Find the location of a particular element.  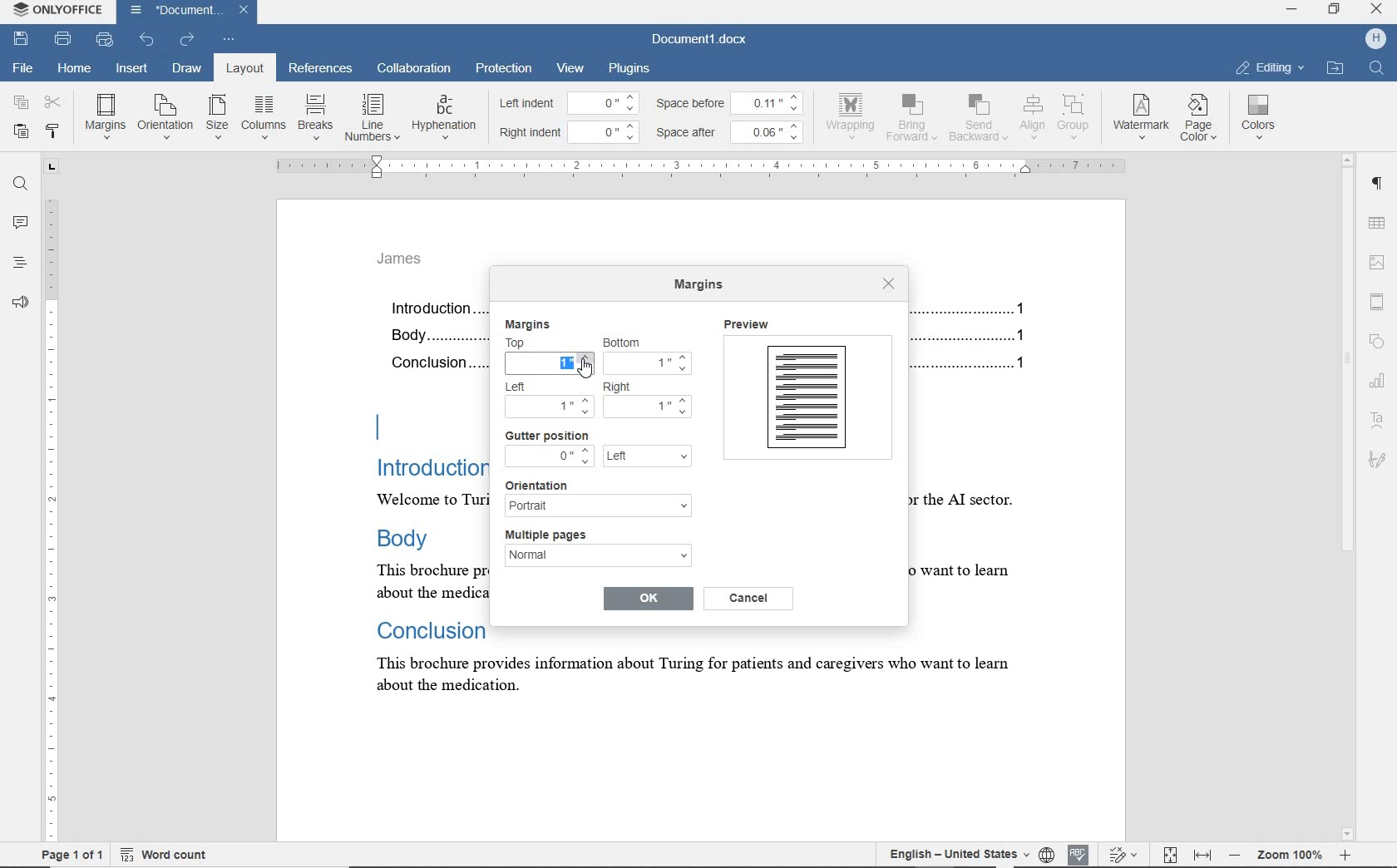

1 is located at coordinates (550, 363).